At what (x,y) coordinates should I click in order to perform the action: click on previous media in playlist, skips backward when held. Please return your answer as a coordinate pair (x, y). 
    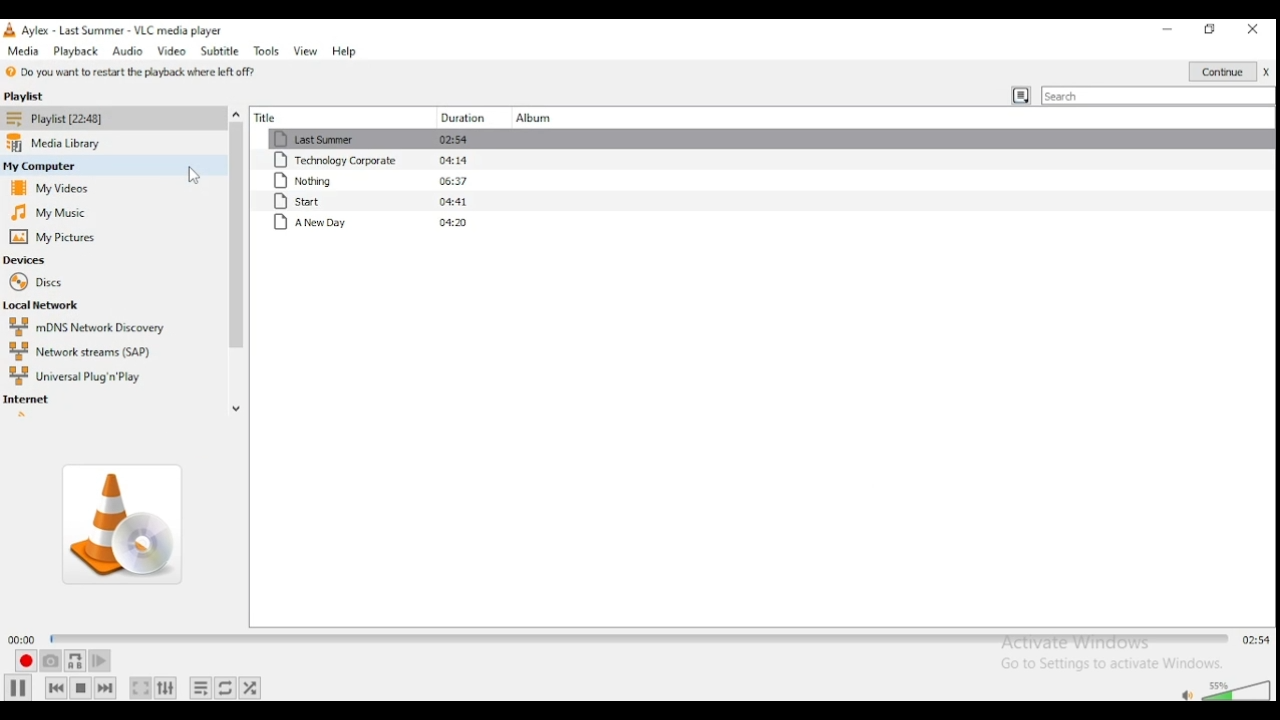
    Looking at the image, I should click on (54, 688).